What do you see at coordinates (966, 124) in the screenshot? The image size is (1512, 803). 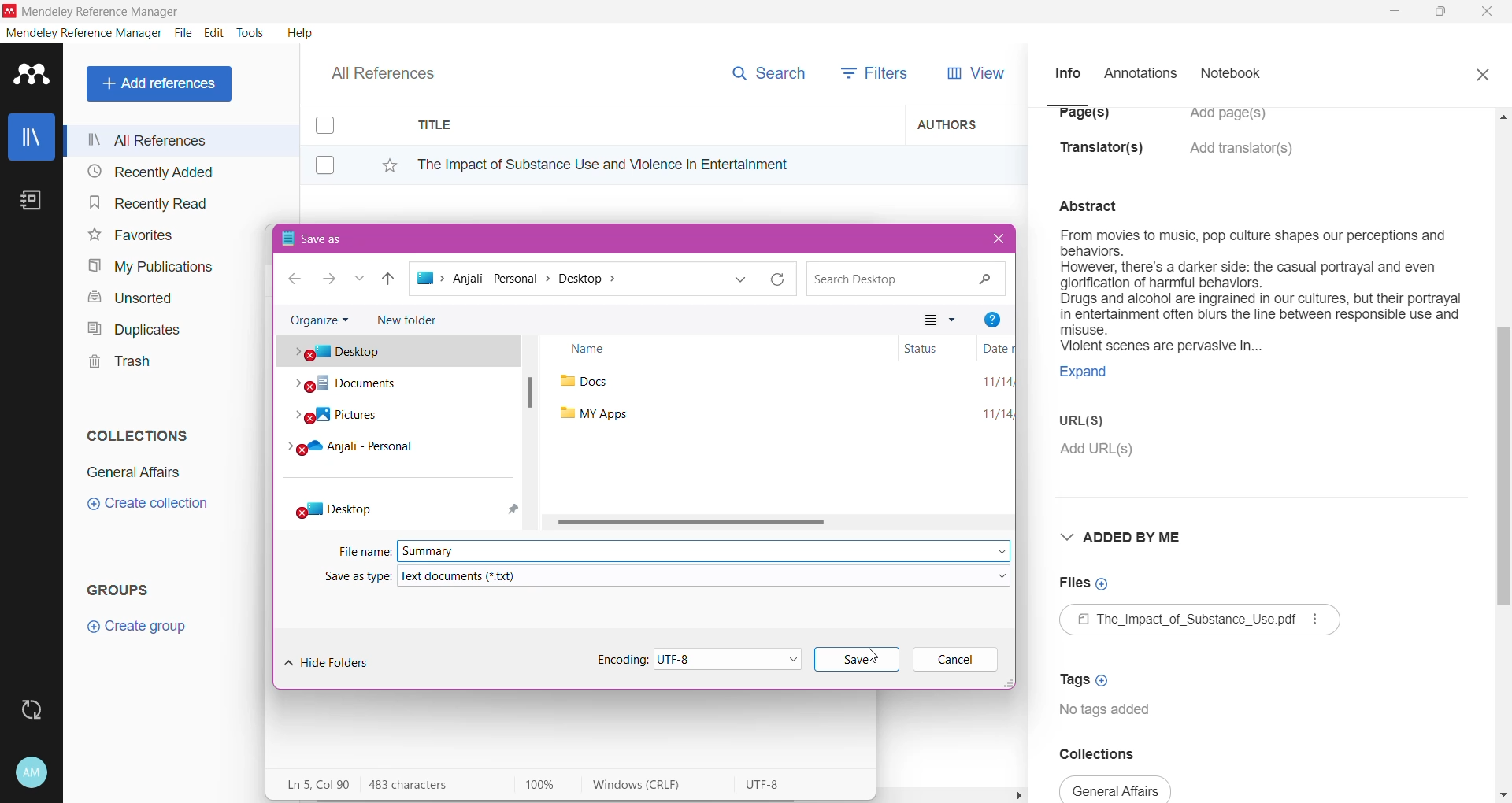 I see `Authors` at bounding box center [966, 124].